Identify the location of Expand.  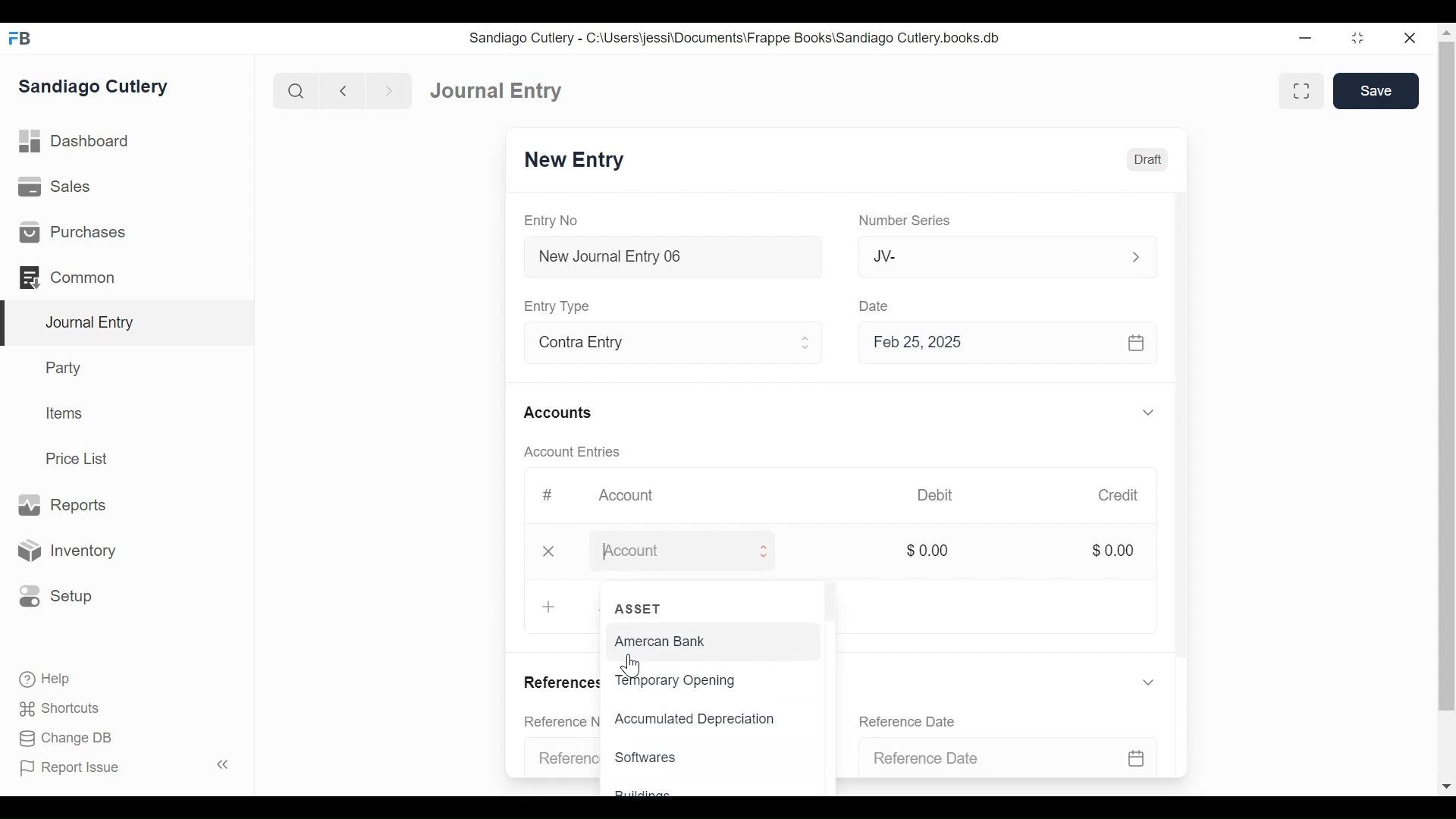
(807, 343).